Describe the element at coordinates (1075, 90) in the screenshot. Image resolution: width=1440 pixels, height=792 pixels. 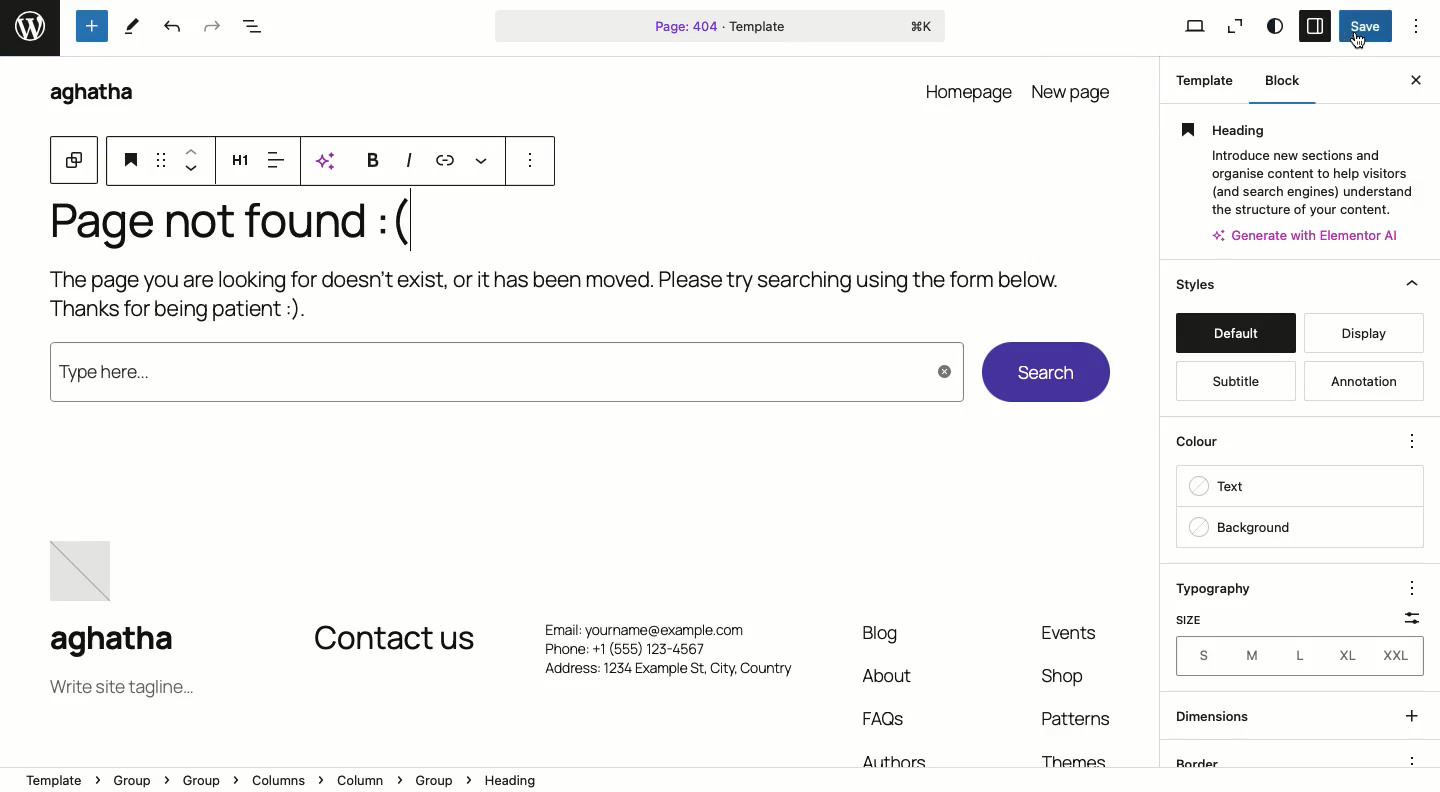
I see `new page` at that location.